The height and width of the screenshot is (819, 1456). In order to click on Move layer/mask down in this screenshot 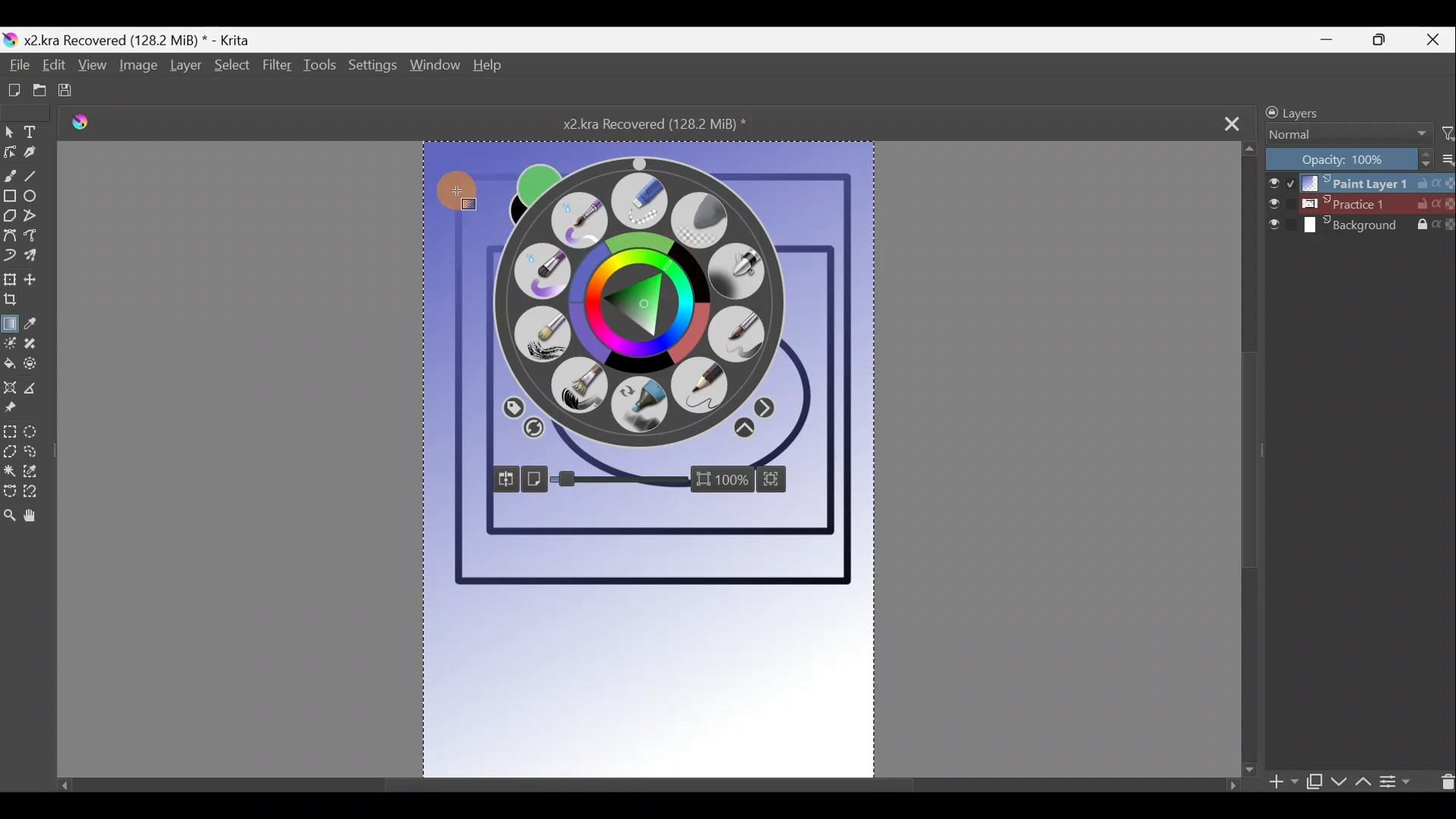, I will do `click(1337, 782)`.